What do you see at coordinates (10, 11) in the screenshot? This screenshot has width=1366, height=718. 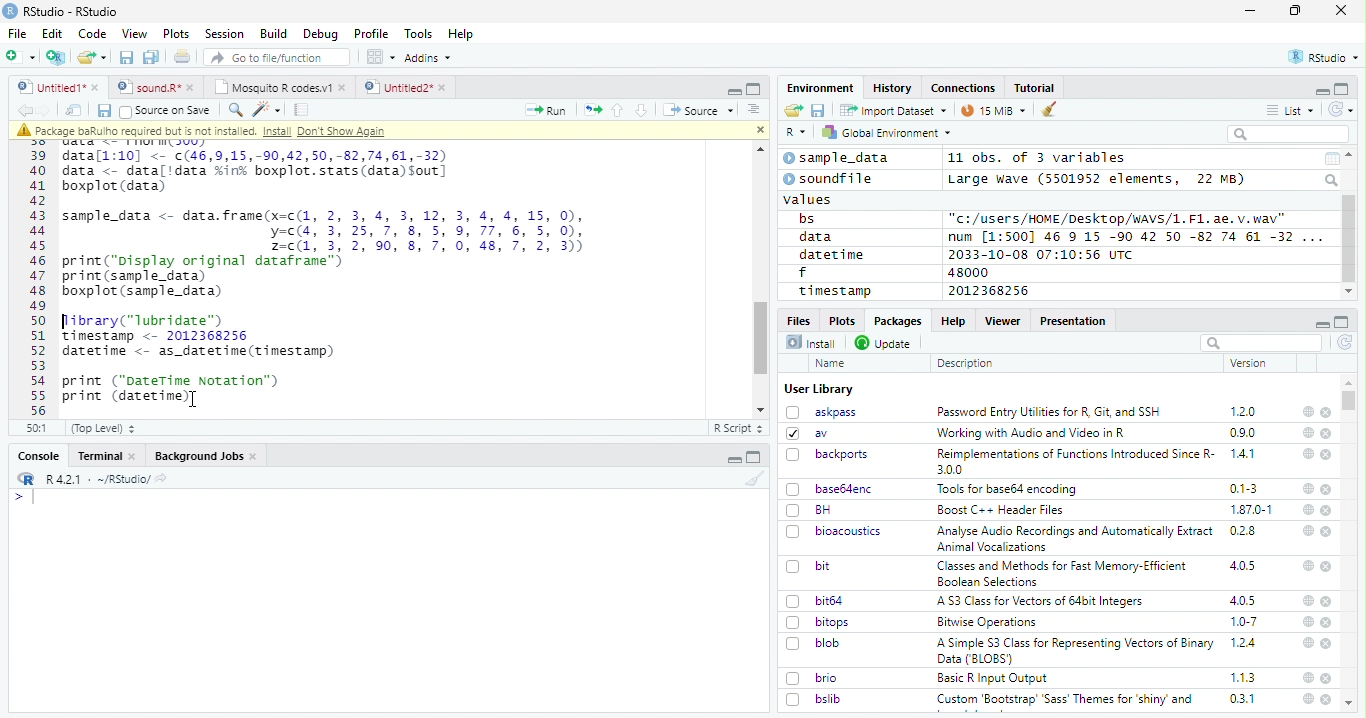 I see `logo` at bounding box center [10, 11].